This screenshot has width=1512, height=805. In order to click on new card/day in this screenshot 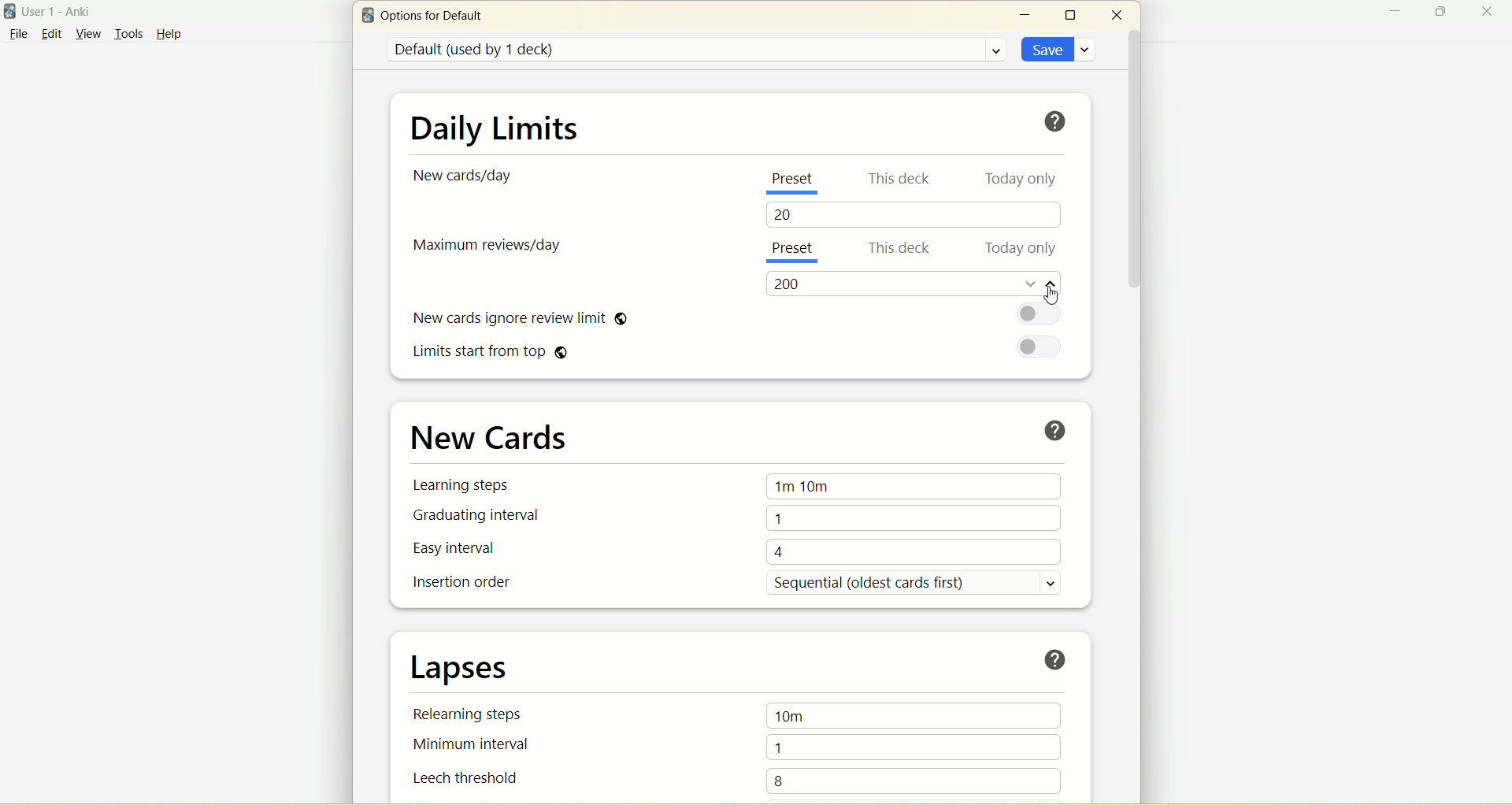, I will do `click(466, 176)`.